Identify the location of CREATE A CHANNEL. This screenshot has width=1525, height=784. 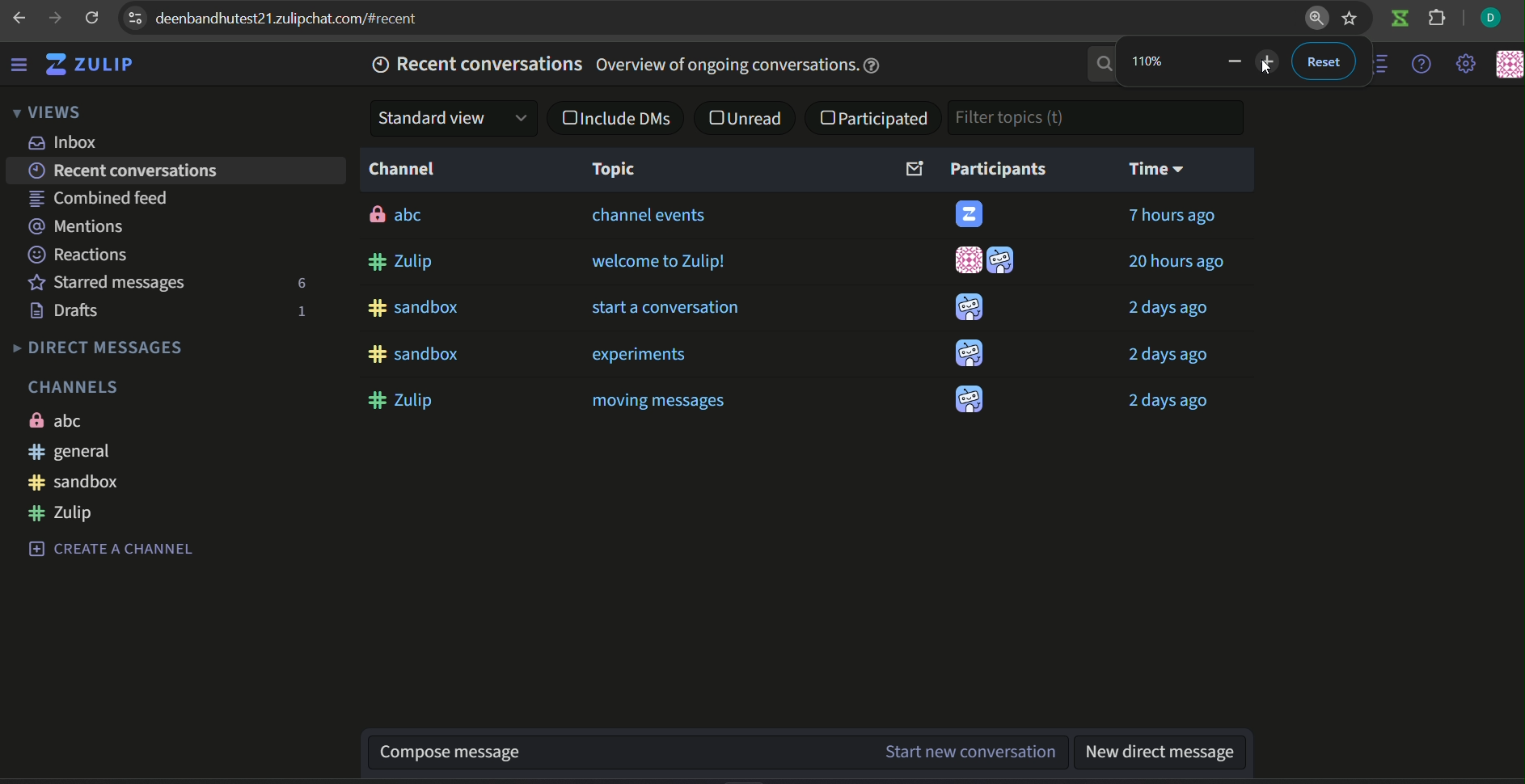
(111, 549).